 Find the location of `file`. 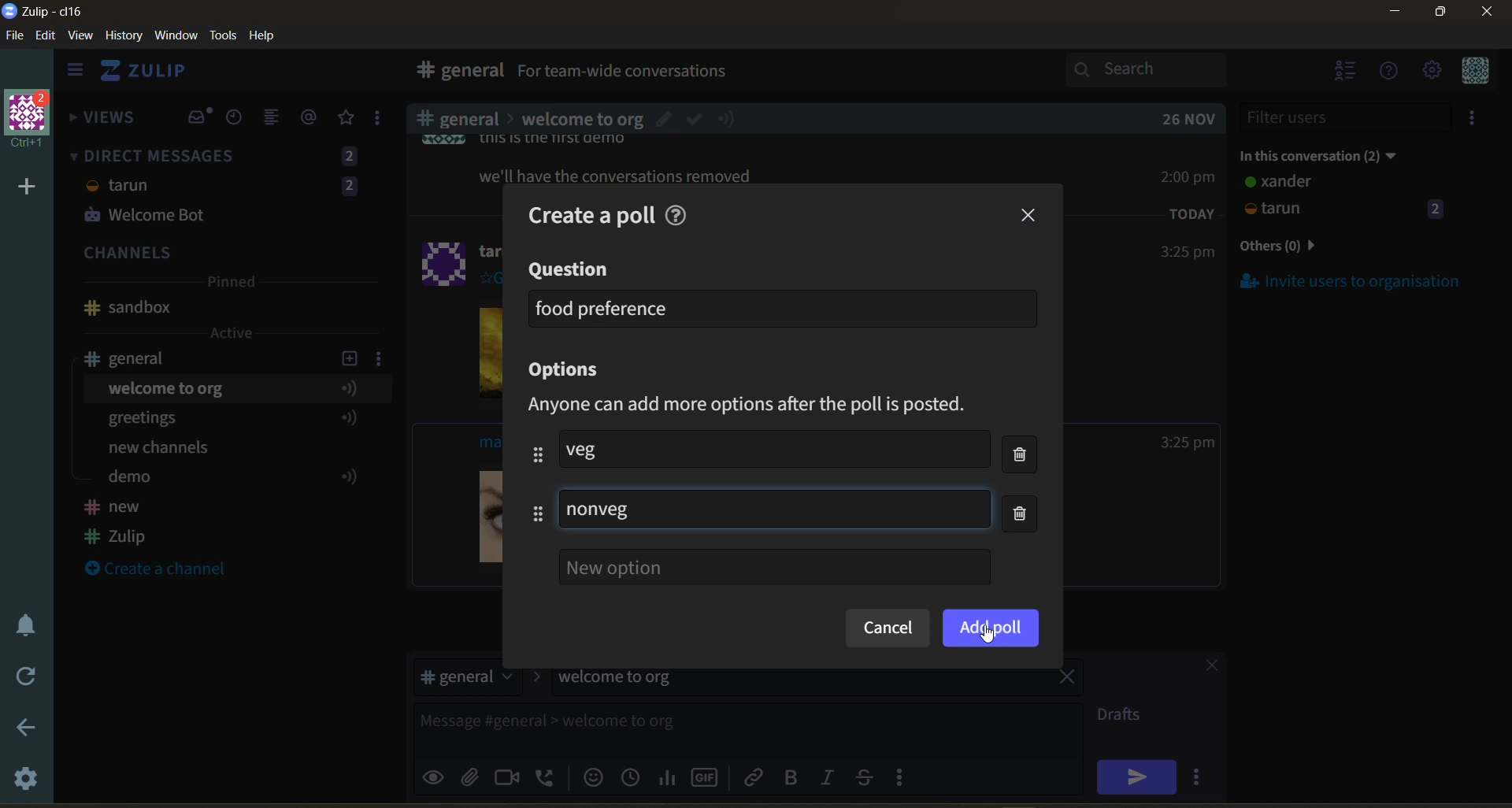

file is located at coordinates (16, 39).